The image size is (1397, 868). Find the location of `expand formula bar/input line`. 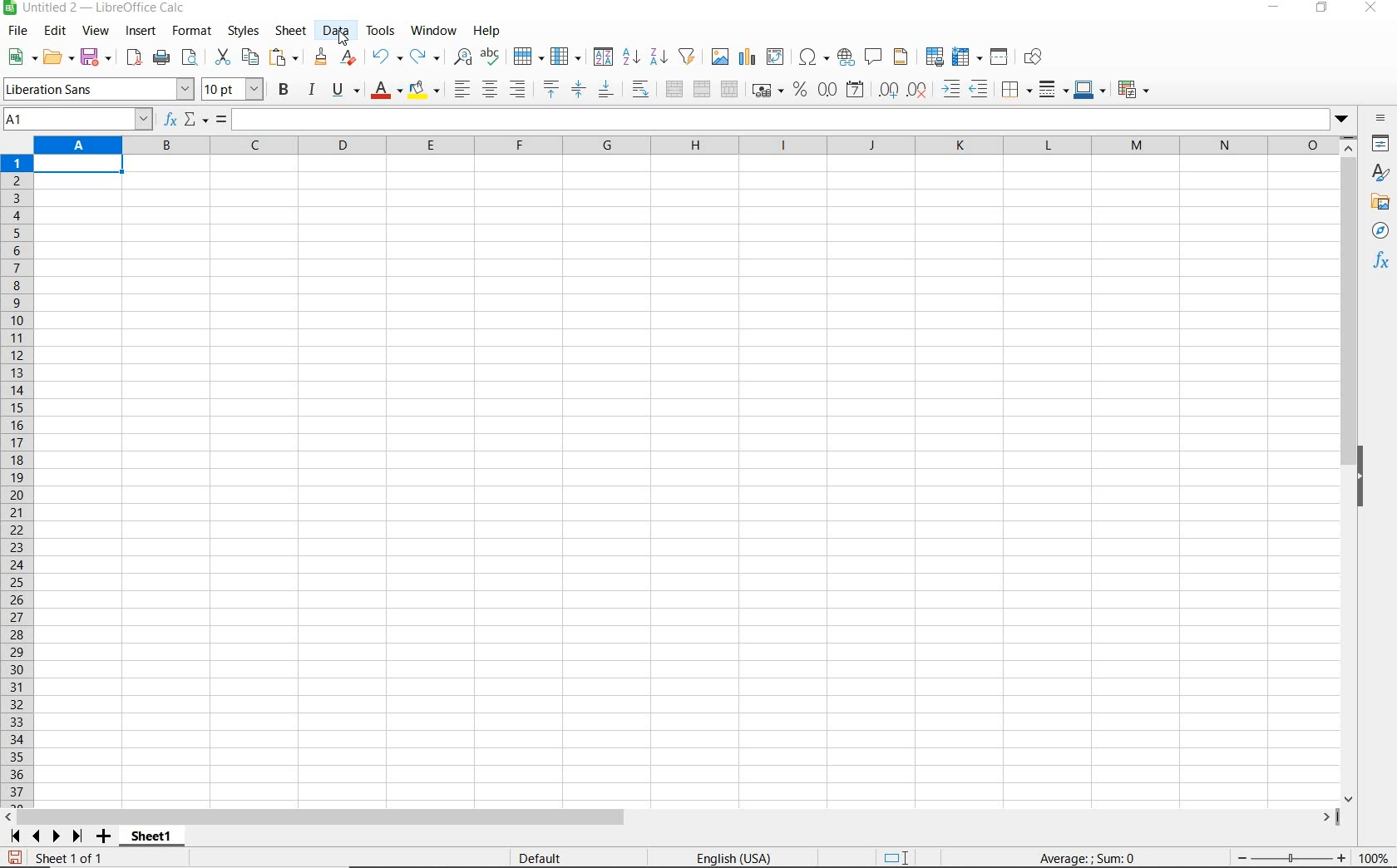

expand formula bar/input line is located at coordinates (780, 121).